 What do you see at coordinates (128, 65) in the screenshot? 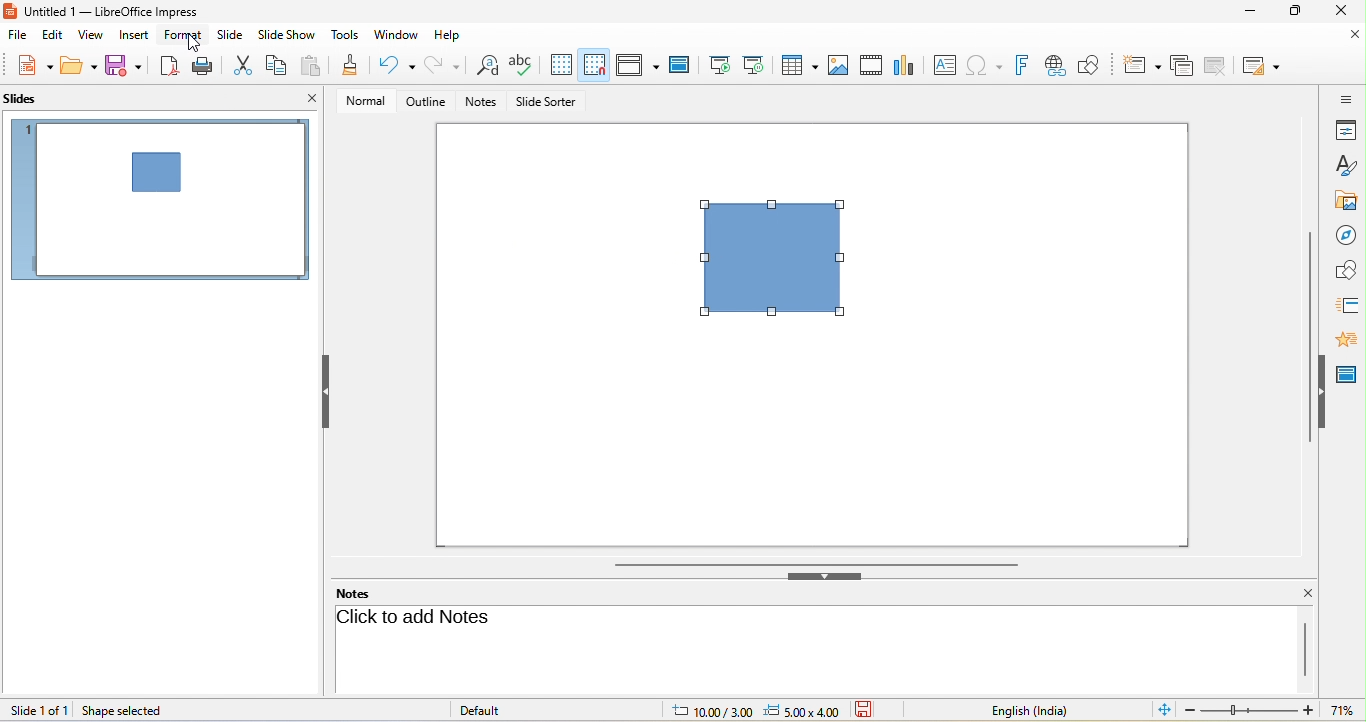
I see `save` at bounding box center [128, 65].